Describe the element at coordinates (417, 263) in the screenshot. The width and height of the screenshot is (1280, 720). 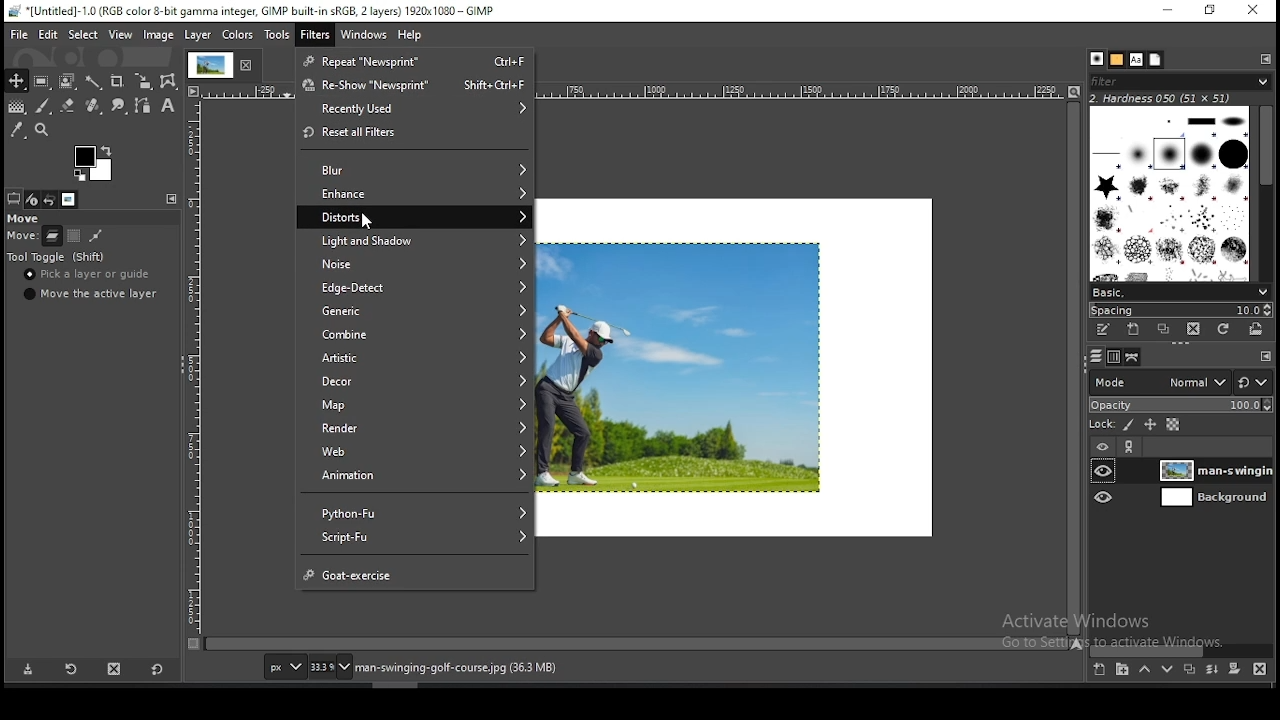
I see `noise` at that location.